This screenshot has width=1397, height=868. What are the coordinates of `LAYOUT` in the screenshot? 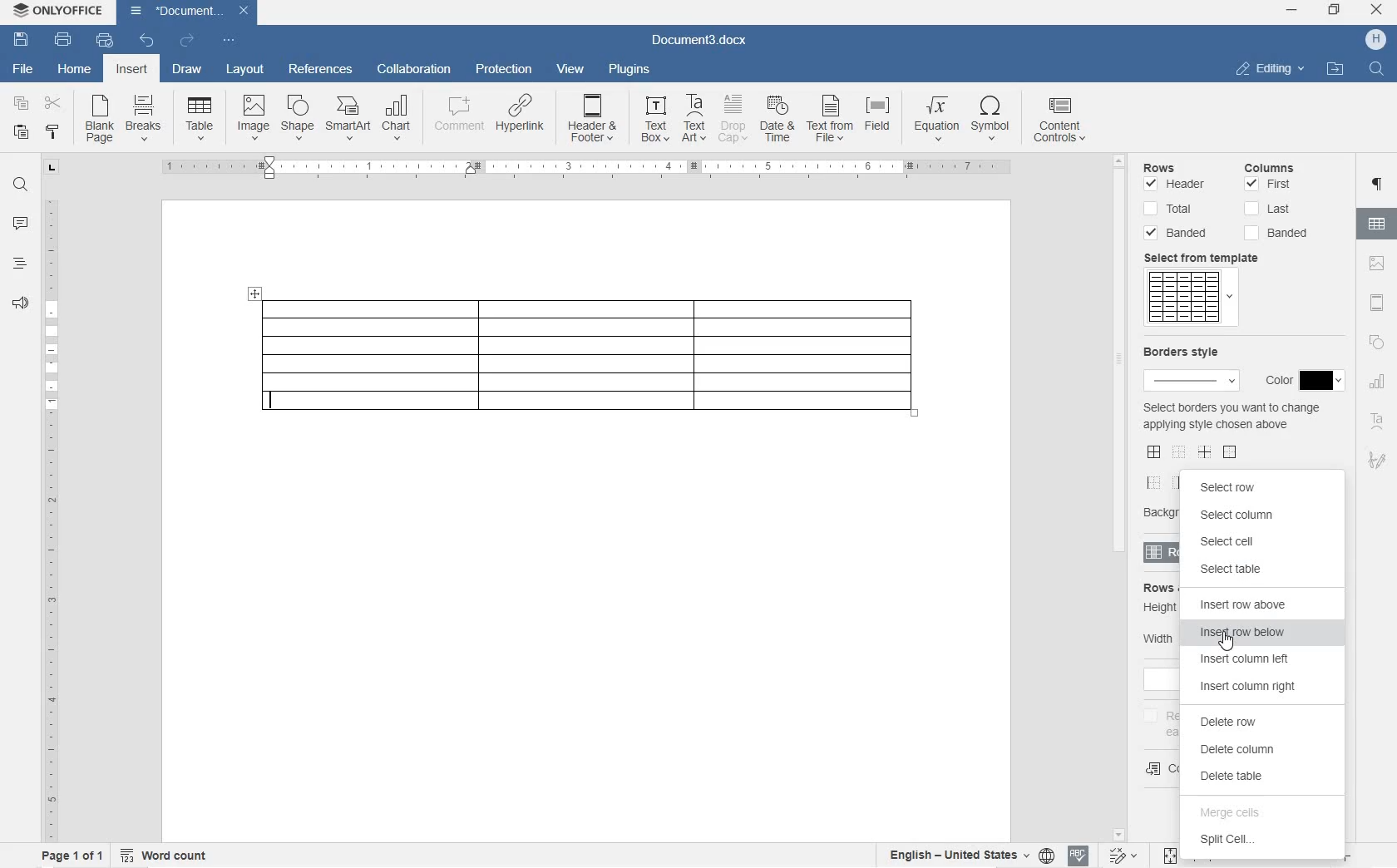 It's located at (246, 71).